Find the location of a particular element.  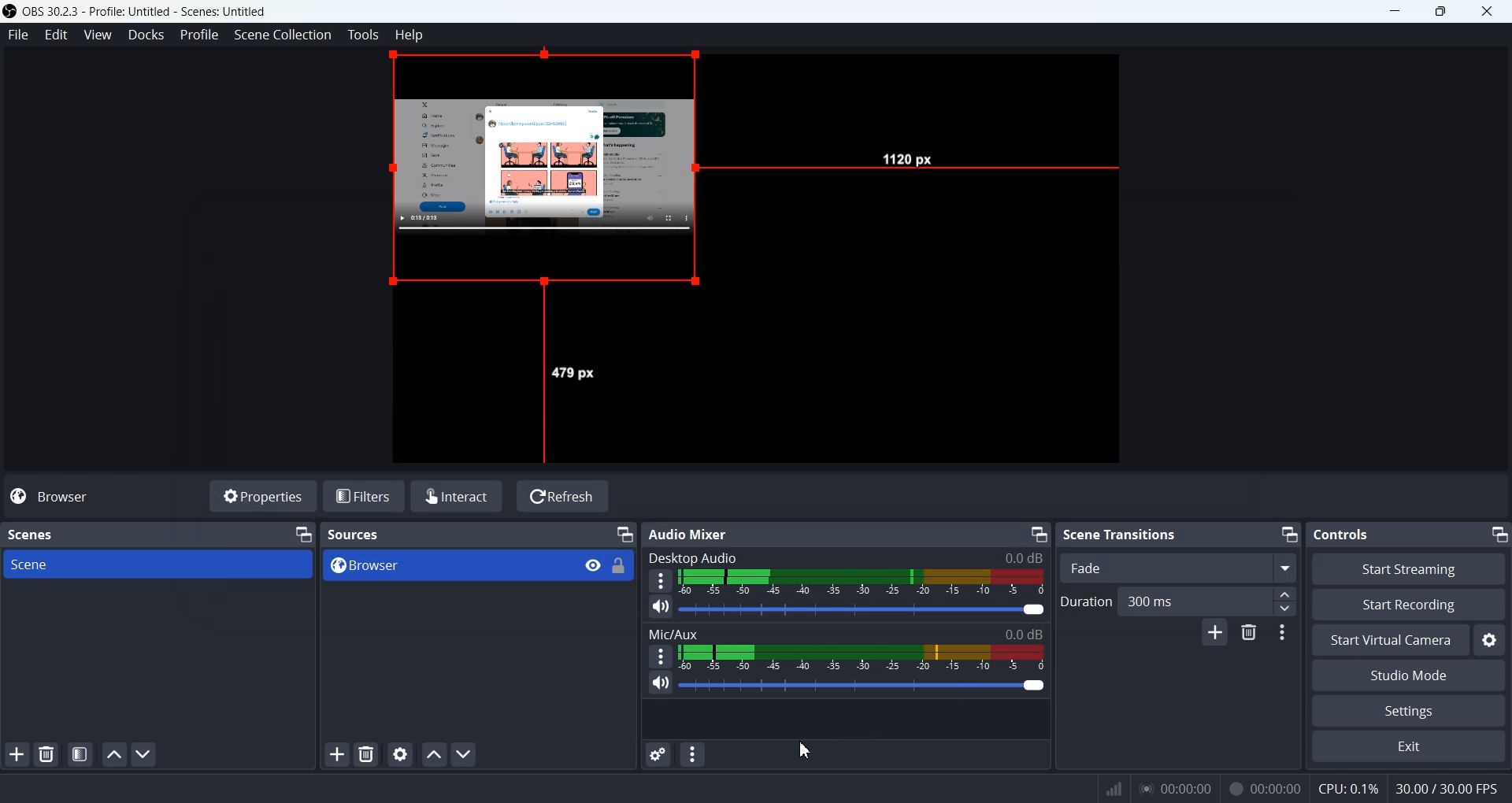

Profile is located at coordinates (200, 35).